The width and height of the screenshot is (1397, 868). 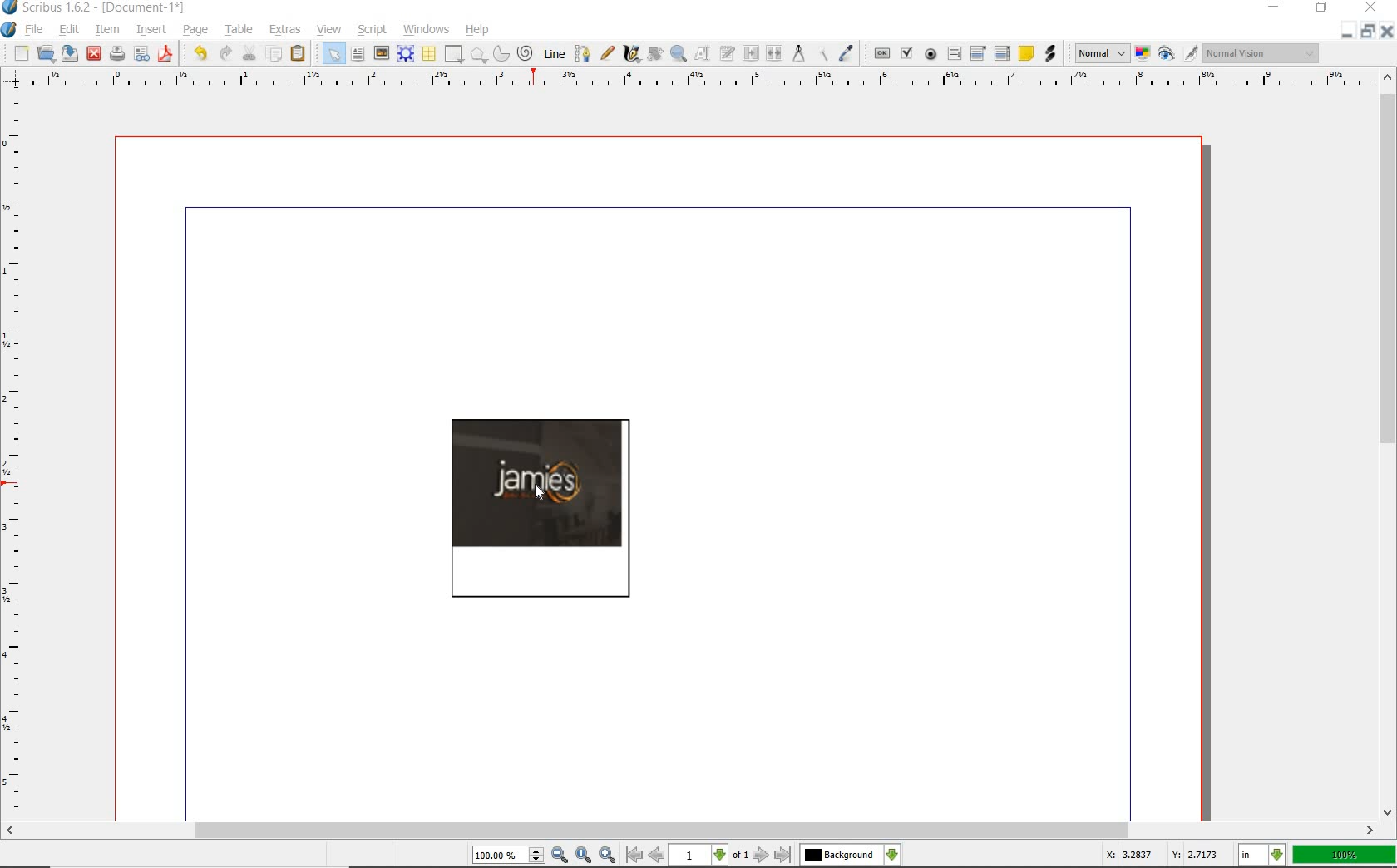 I want to click on extras, so click(x=285, y=28).